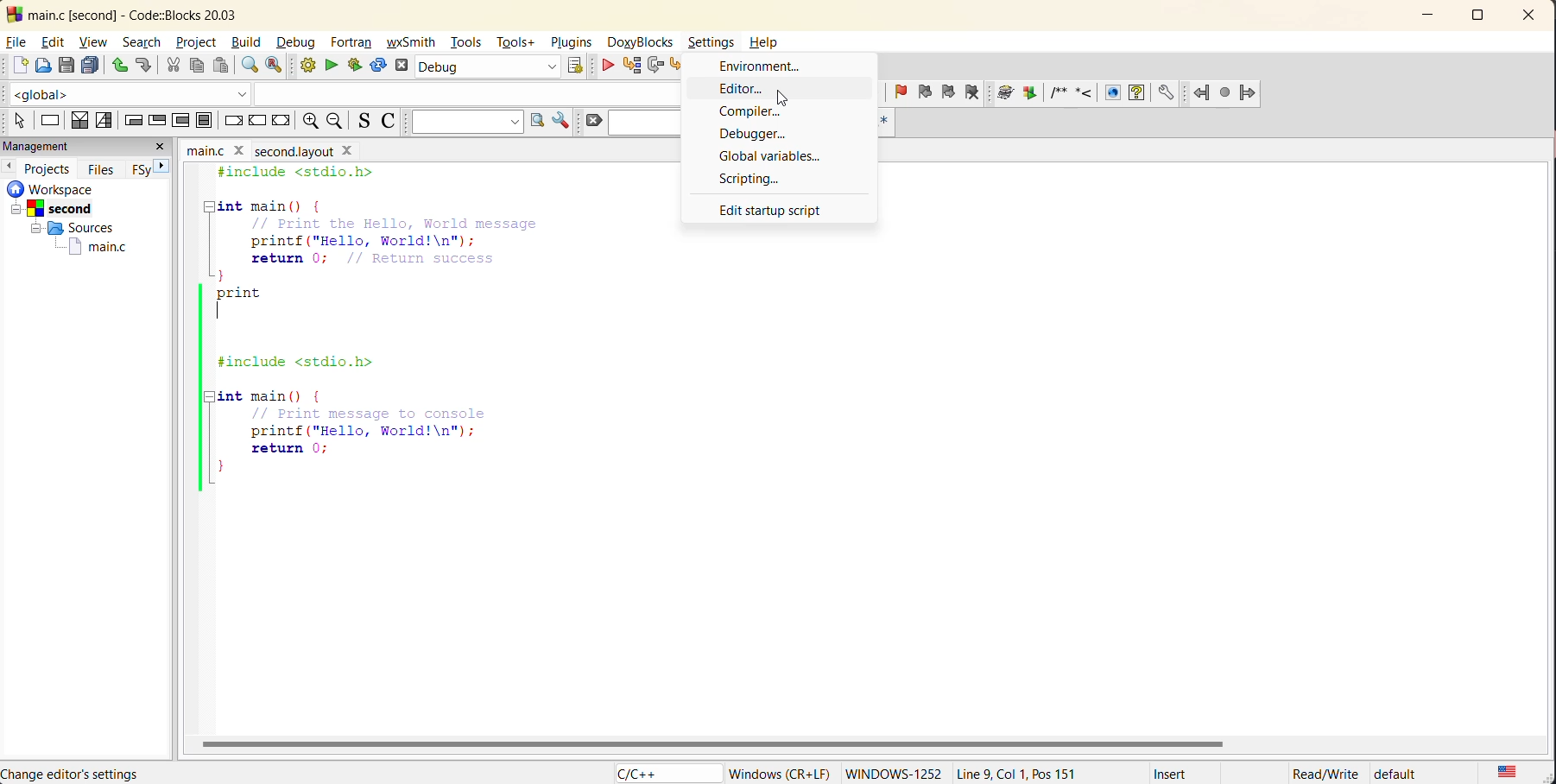 This screenshot has height=784, width=1556. Describe the element at coordinates (239, 149) in the screenshot. I see `close` at that location.